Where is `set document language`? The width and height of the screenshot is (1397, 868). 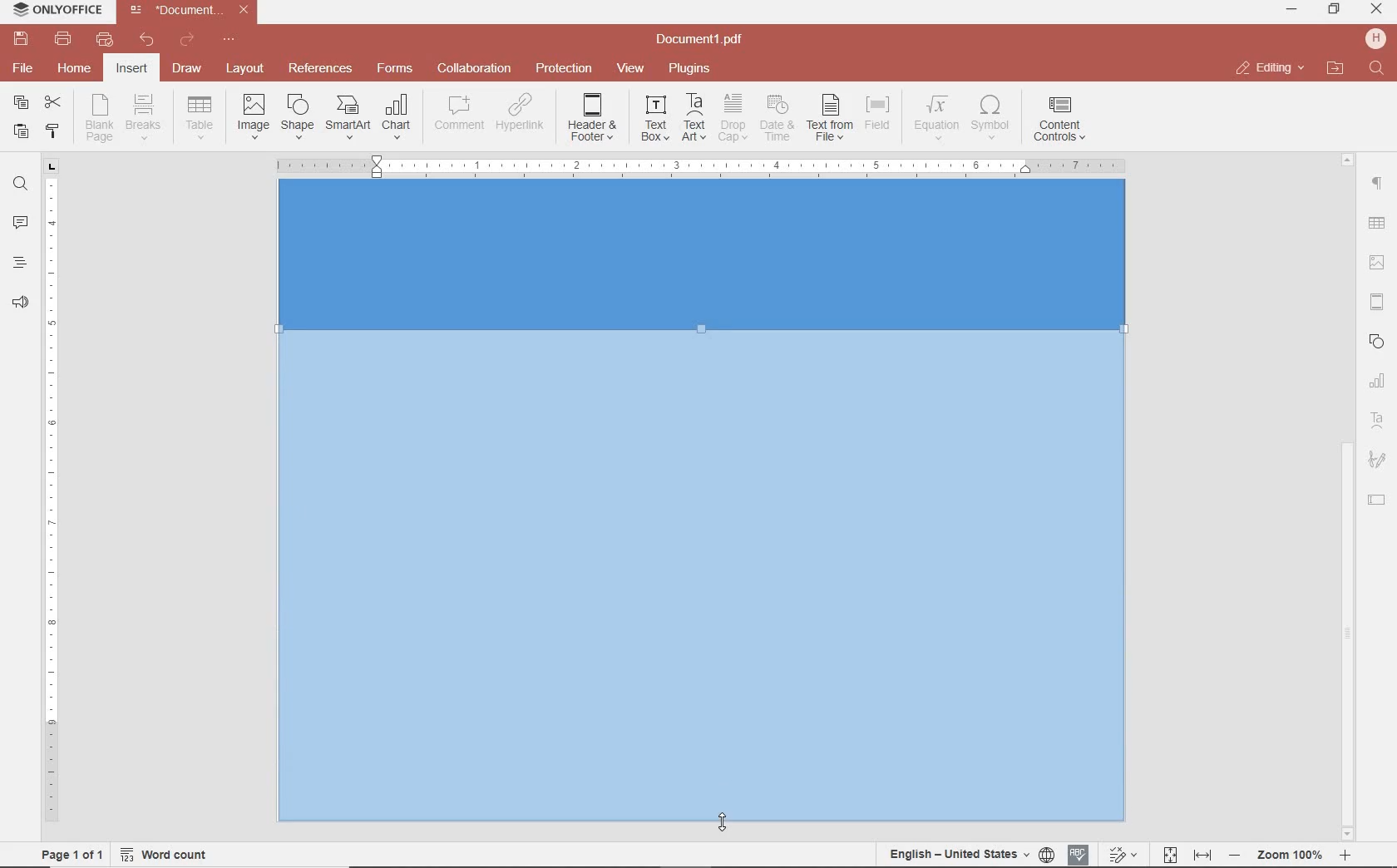 set document language is located at coordinates (970, 854).